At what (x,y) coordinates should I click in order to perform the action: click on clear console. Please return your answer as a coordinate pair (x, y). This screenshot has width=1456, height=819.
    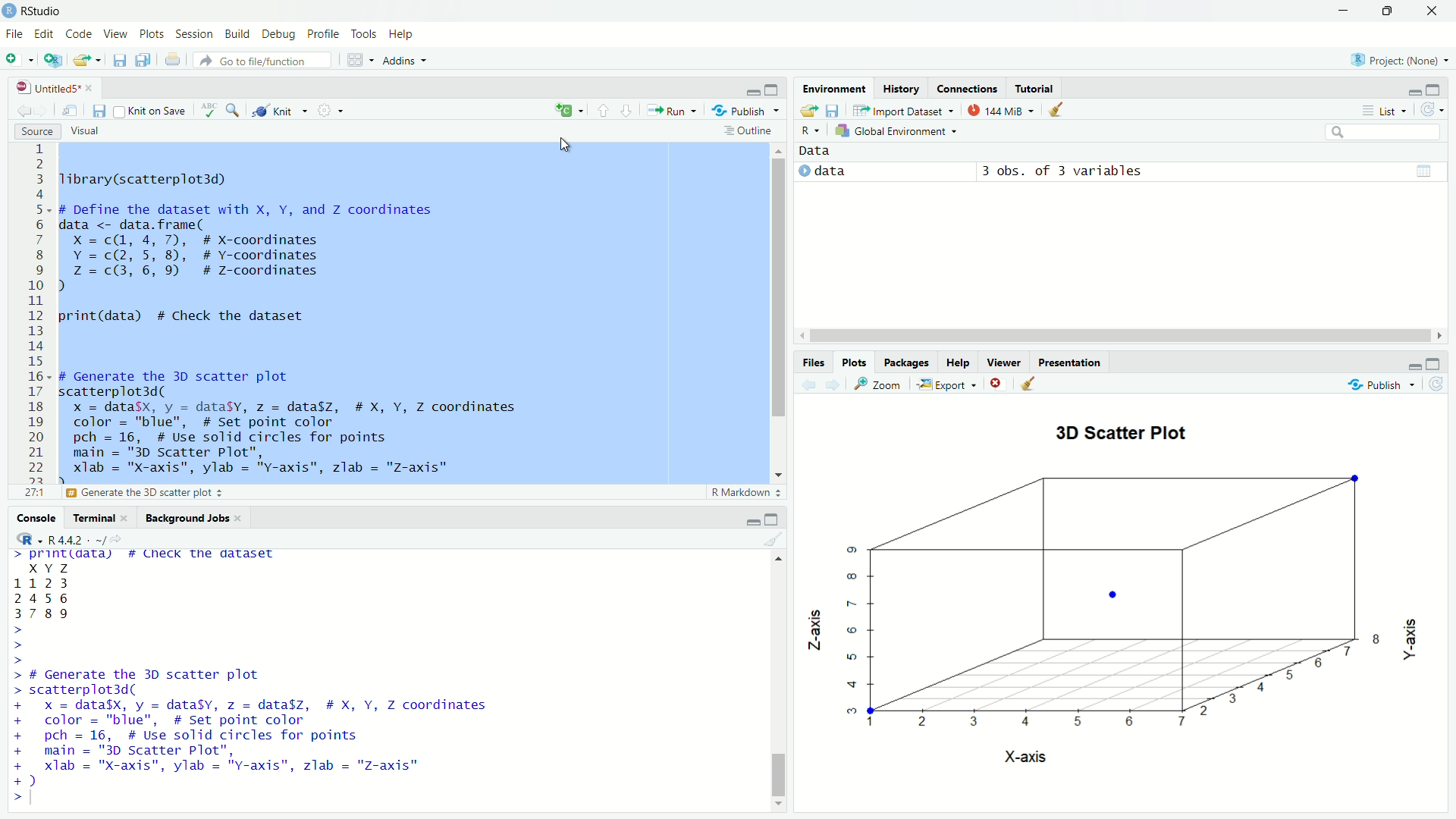
    Looking at the image, I should click on (778, 538).